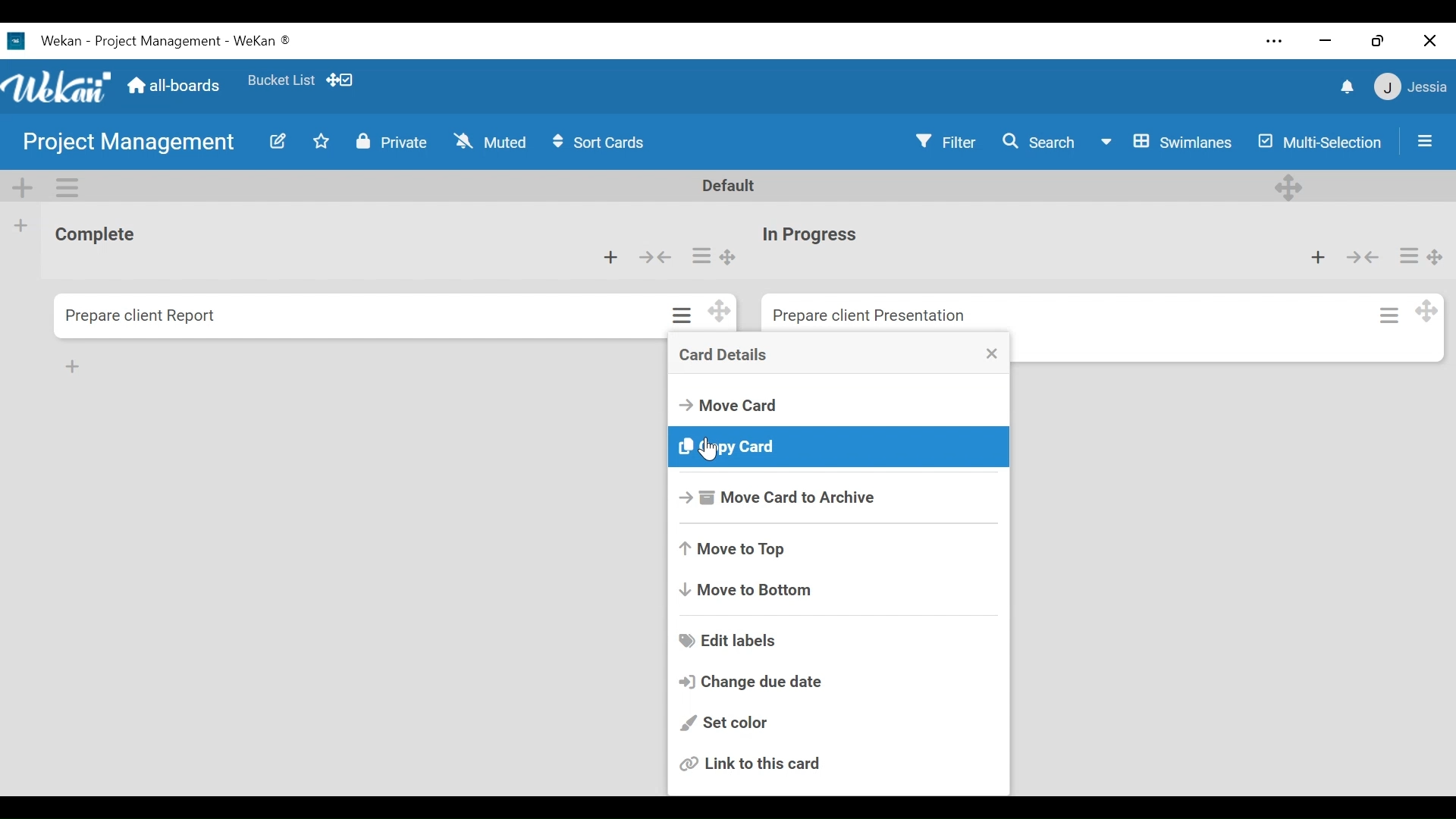  What do you see at coordinates (1426, 311) in the screenshot?
I see `Desktop drag handle` at bounding box center [1426, 311].